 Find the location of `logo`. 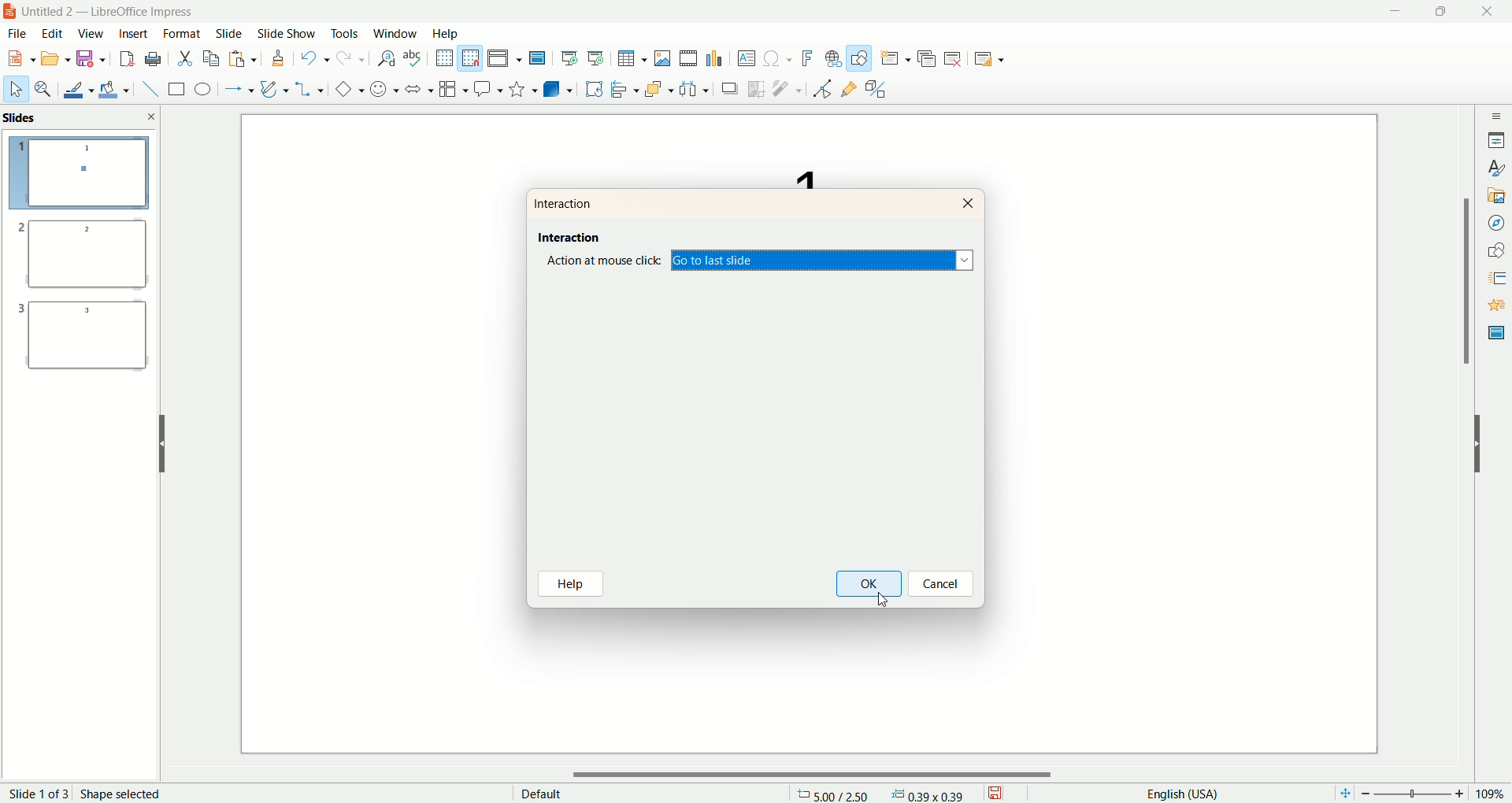

logo is located at coordinates (10, 13).